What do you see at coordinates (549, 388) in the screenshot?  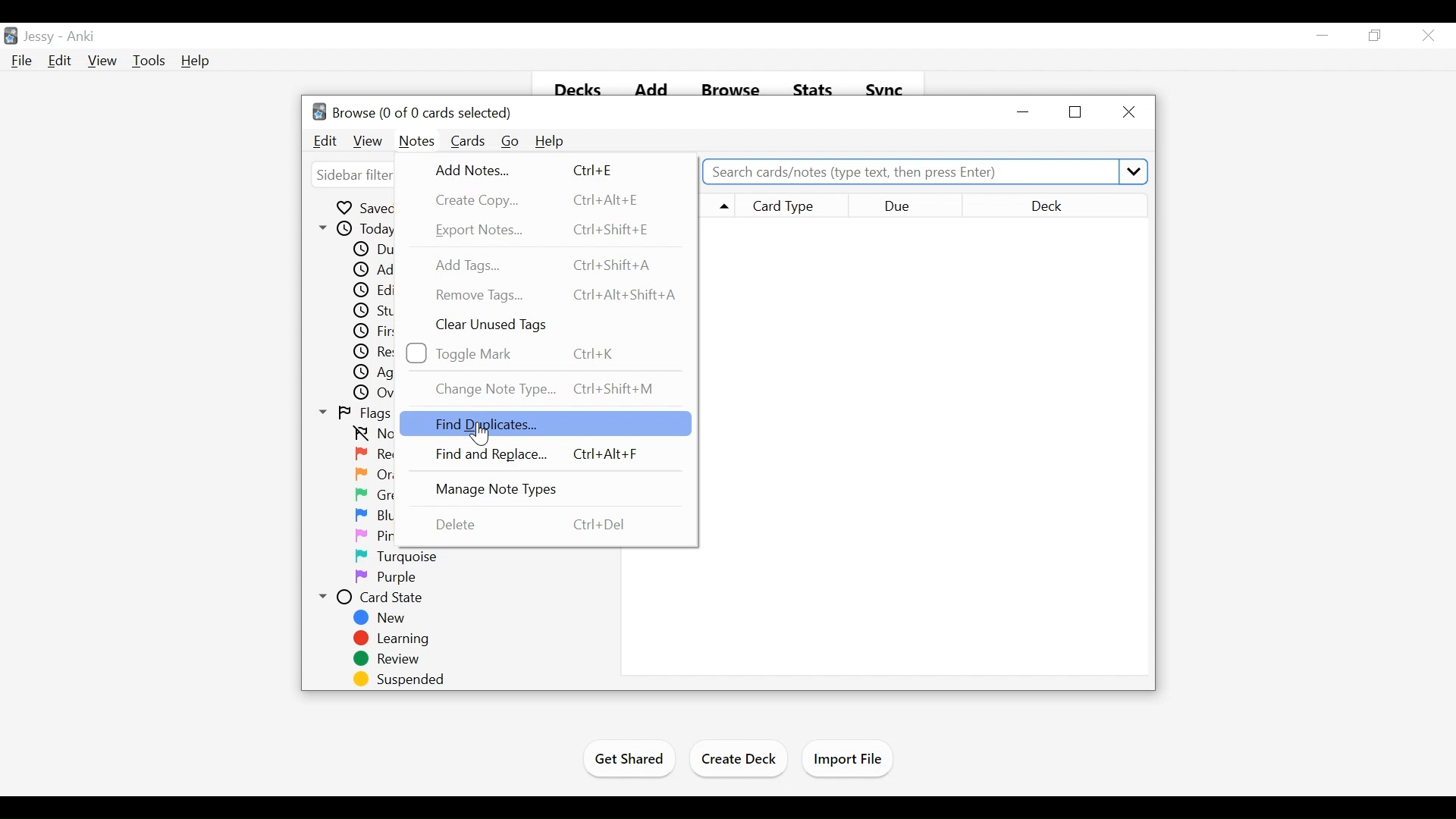 I see `Change Note Type` at bounding box center [549, 388].